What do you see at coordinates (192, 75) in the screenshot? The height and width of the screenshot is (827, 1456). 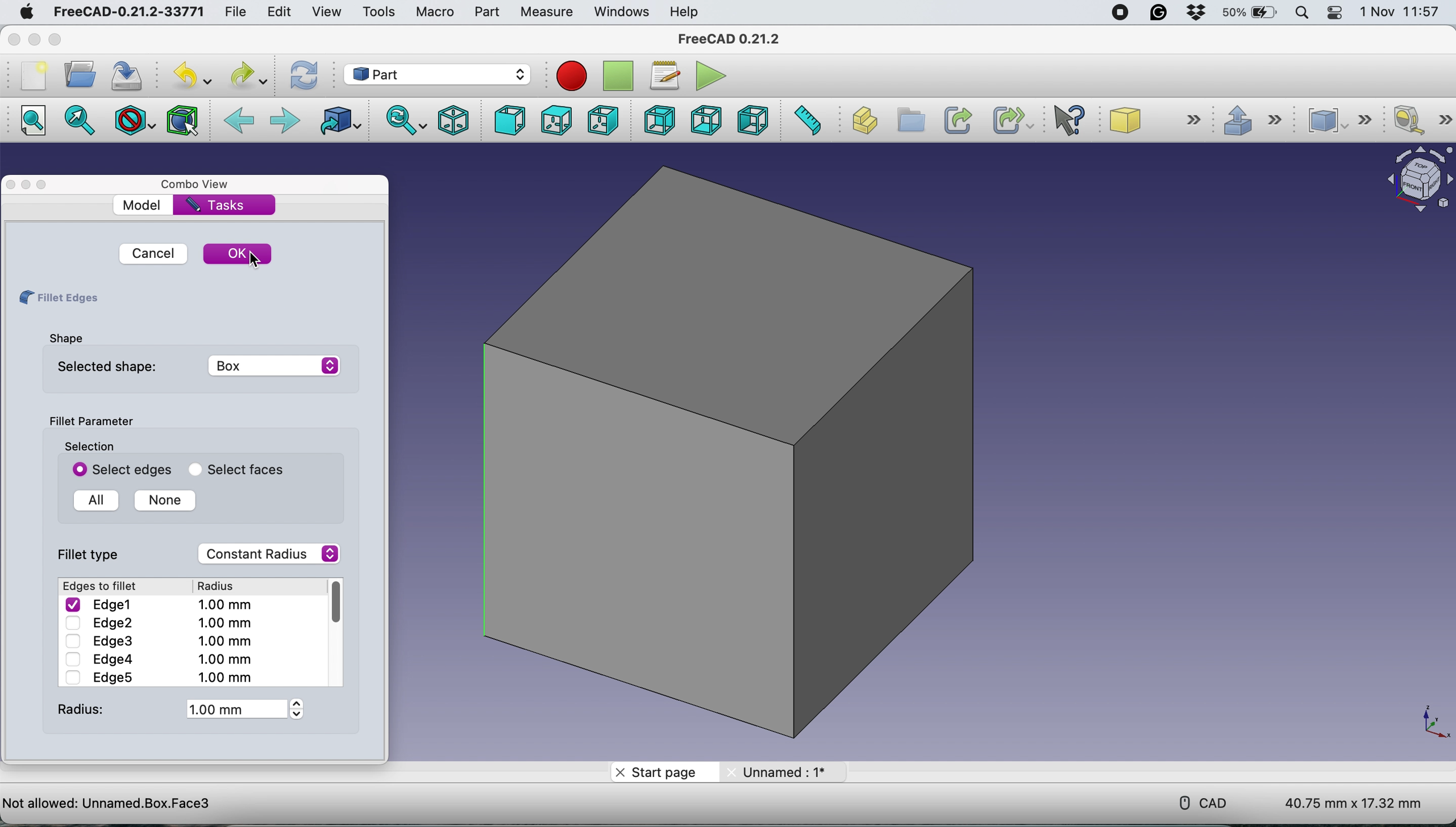 I see `undo` at bounding box center [192, 75].